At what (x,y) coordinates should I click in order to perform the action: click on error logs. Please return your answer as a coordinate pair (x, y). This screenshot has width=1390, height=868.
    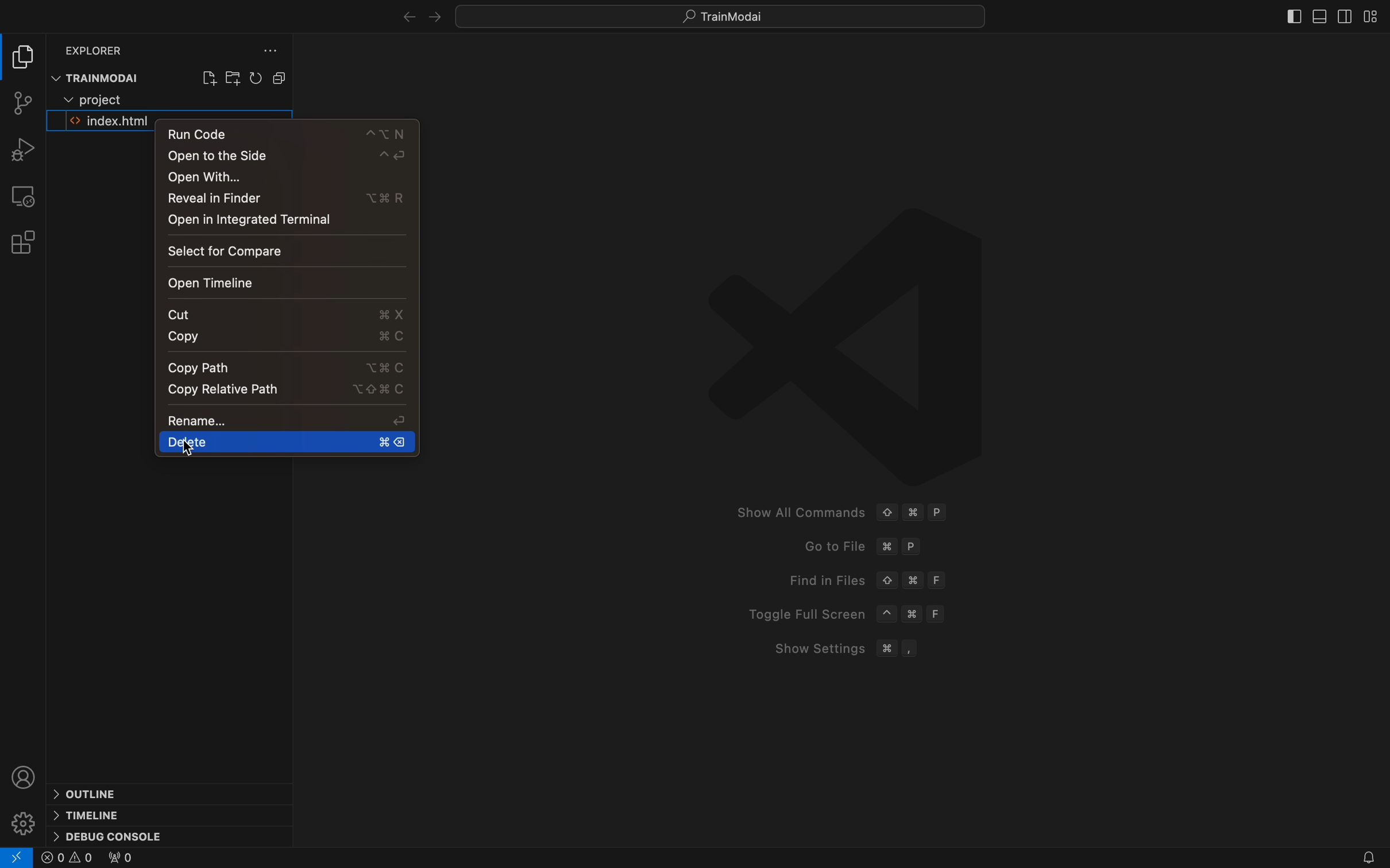
    Looking at the image, I should click on (17, 858).